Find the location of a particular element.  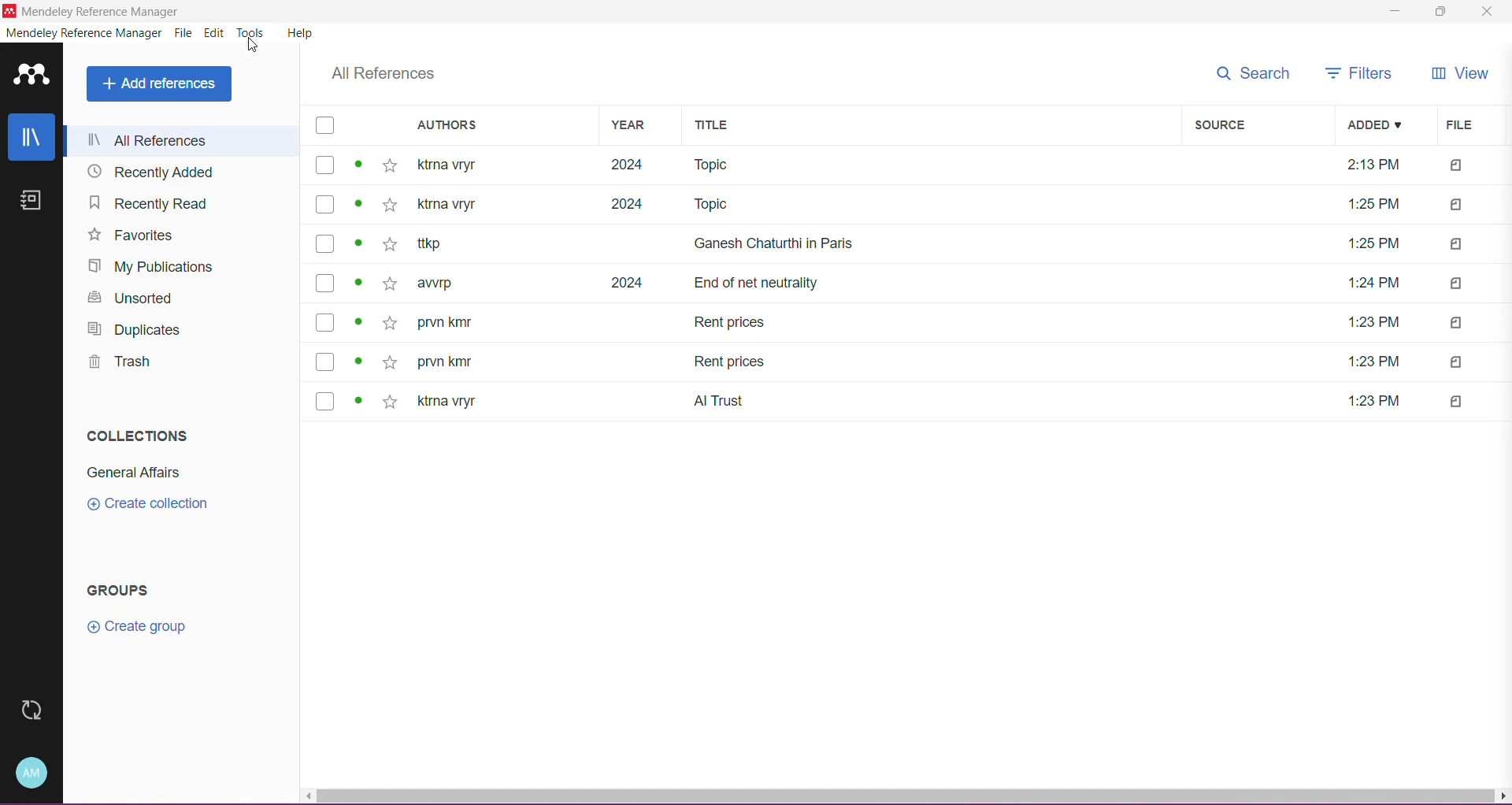

Trash is located at coordinates (119, 365).